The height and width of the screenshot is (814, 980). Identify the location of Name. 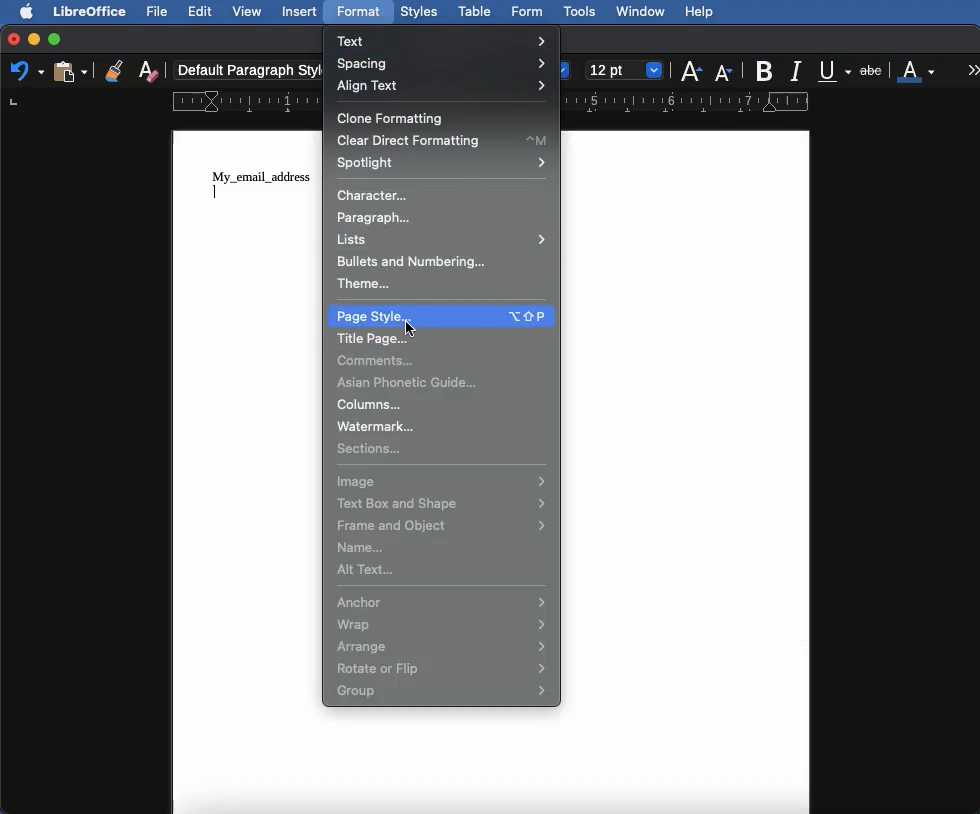
(364, 547).